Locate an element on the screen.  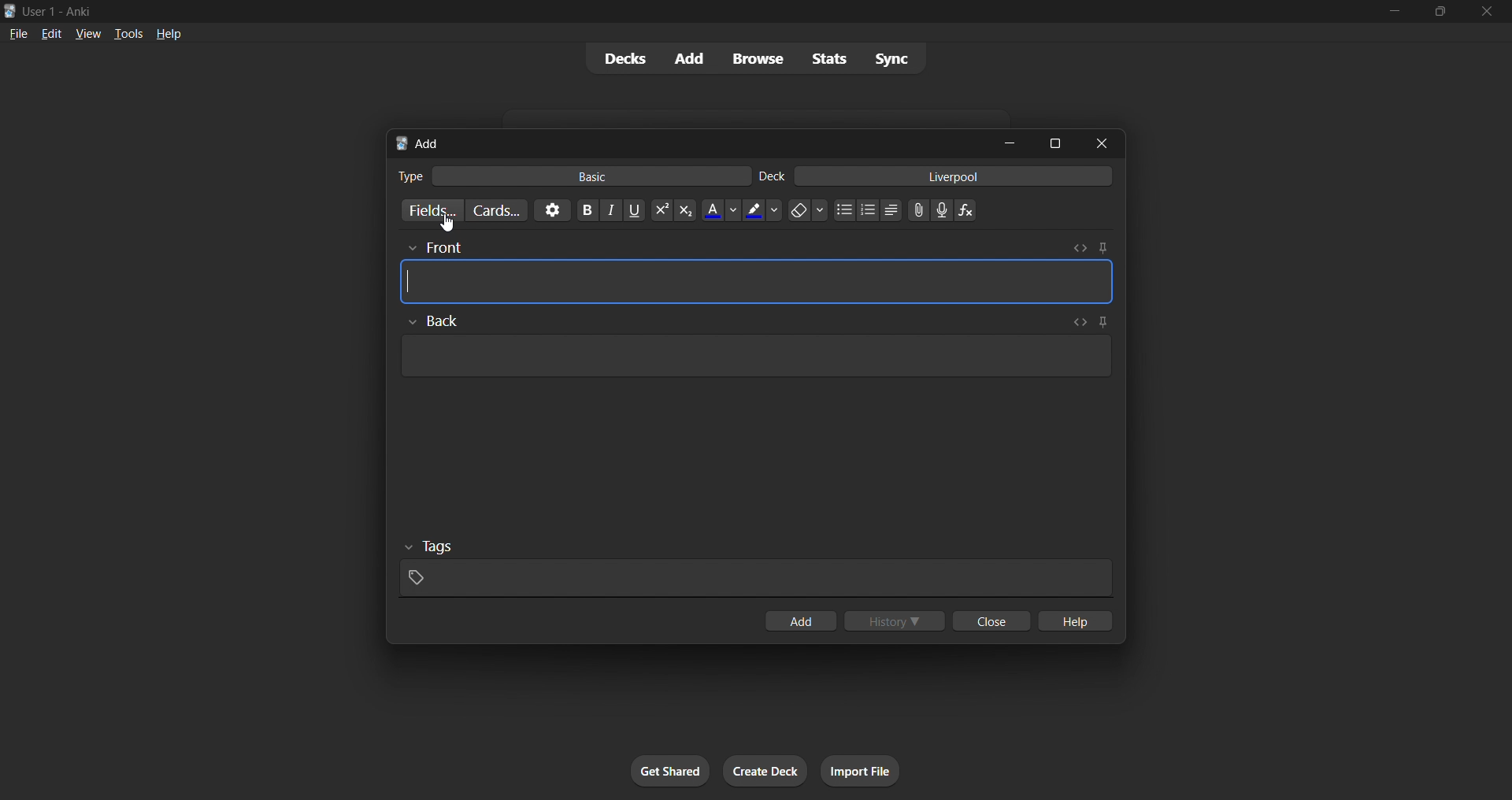
stats is located at coordinates (828, 58).